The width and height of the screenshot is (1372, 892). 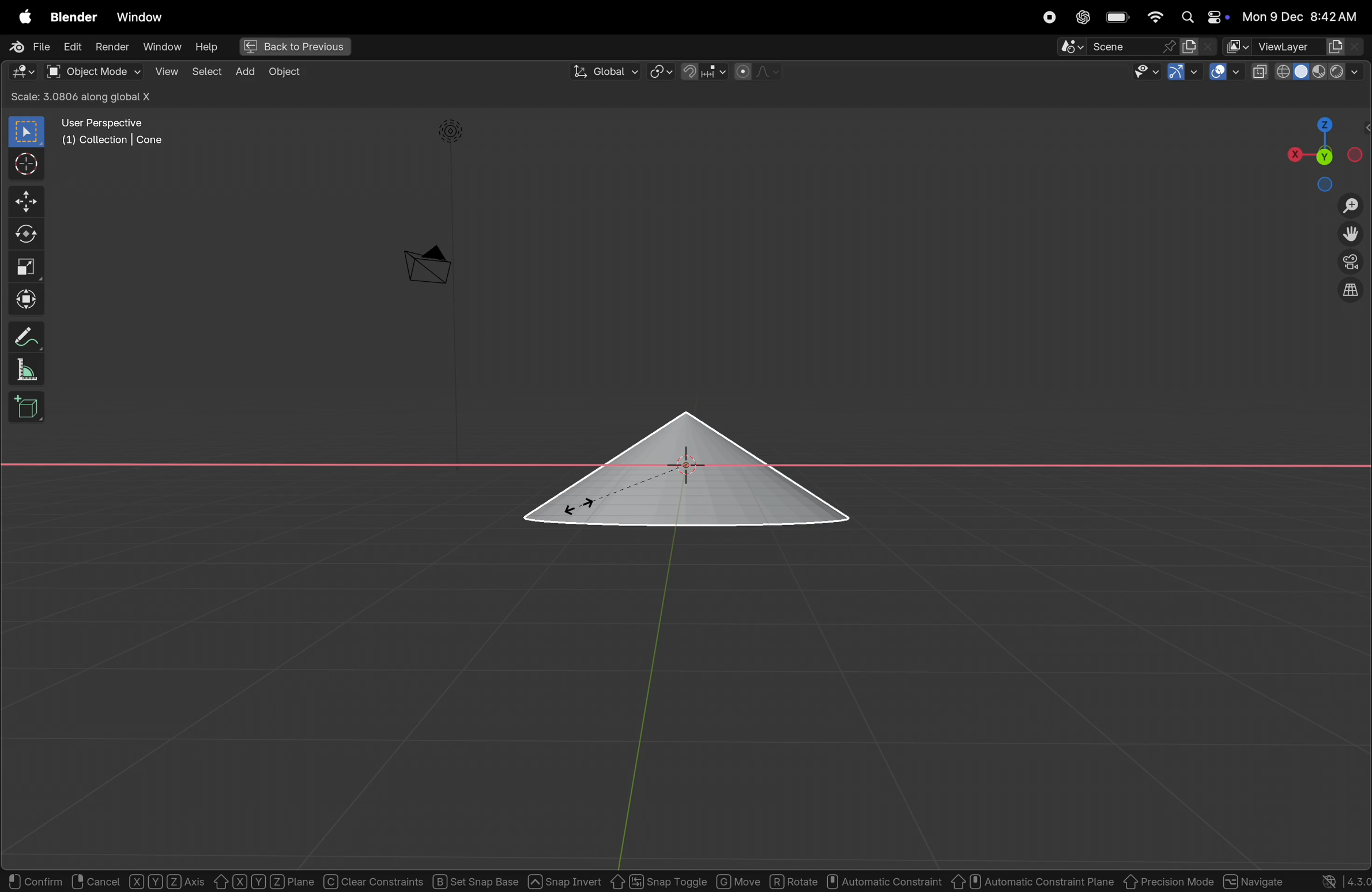 What do you see at coordinates (140, 17) in the screenshot?
I see `Window` at bounding box center [140, 17].